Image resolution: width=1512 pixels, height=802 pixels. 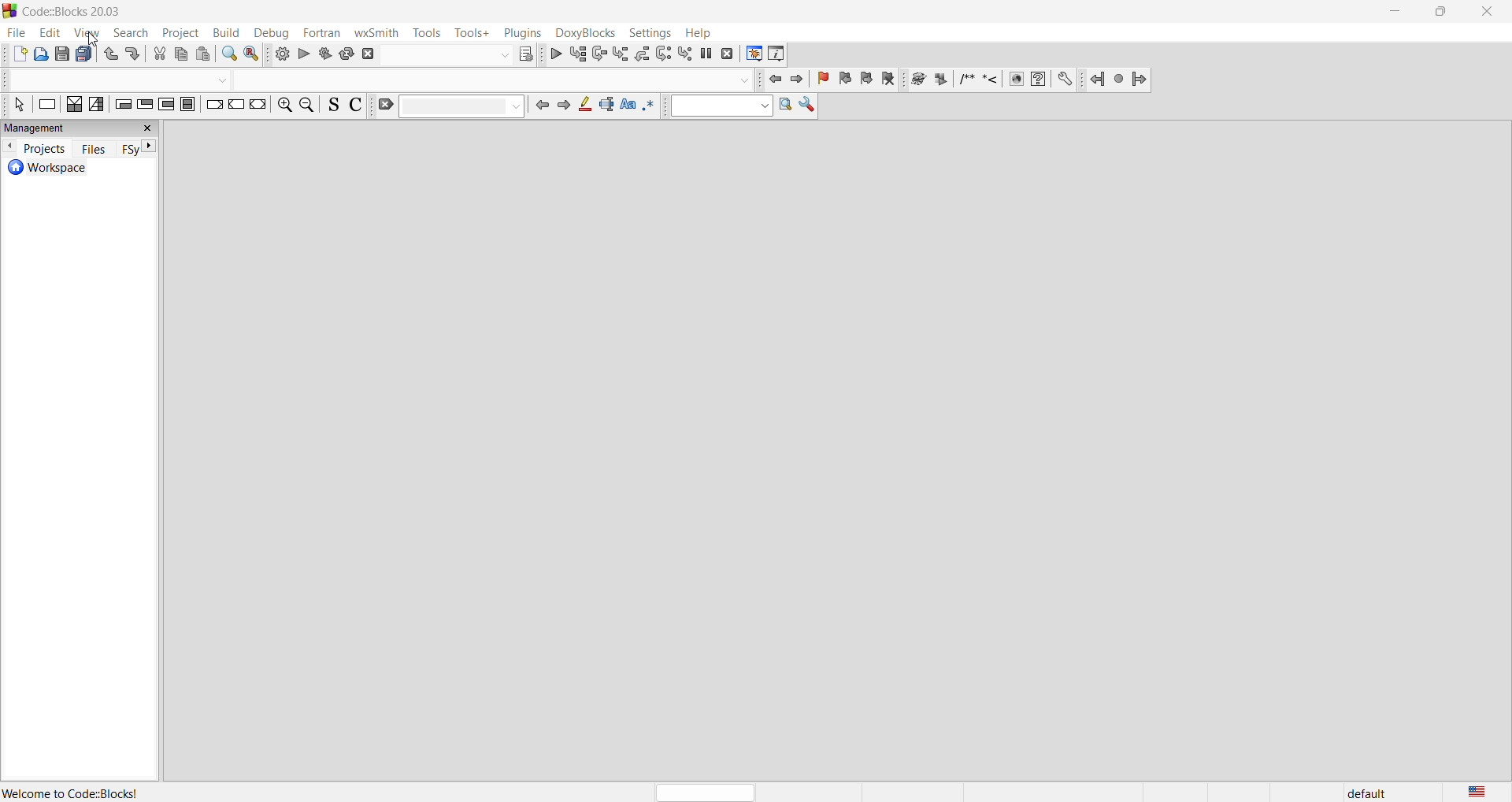 What do you see at coordinates (44, 149) in the screenshot?
I see `projects` at bounding box center [44, 149].